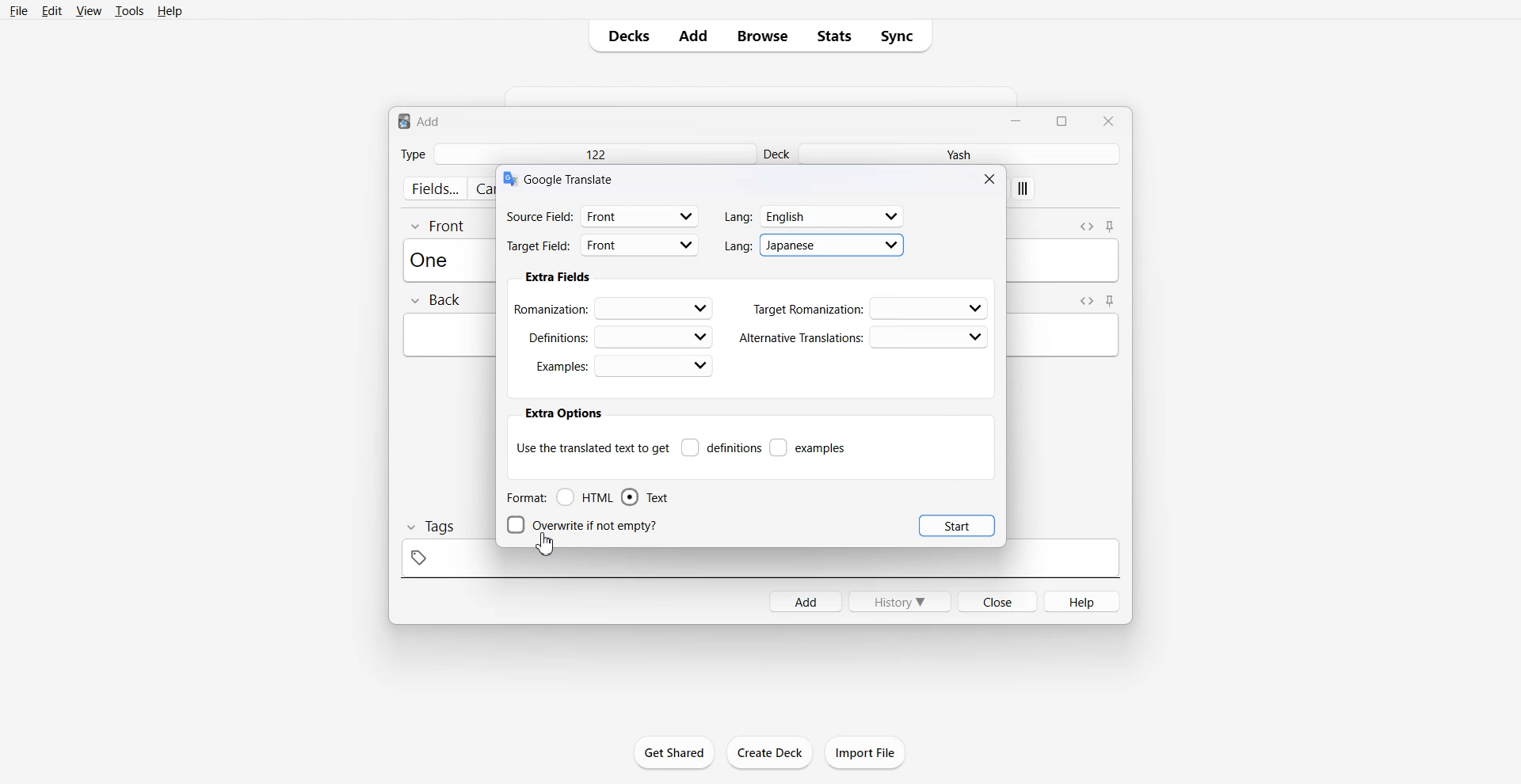  Describe the element at coordinates (616, 307) in the screenshot. I see `Romanization:` at that location.